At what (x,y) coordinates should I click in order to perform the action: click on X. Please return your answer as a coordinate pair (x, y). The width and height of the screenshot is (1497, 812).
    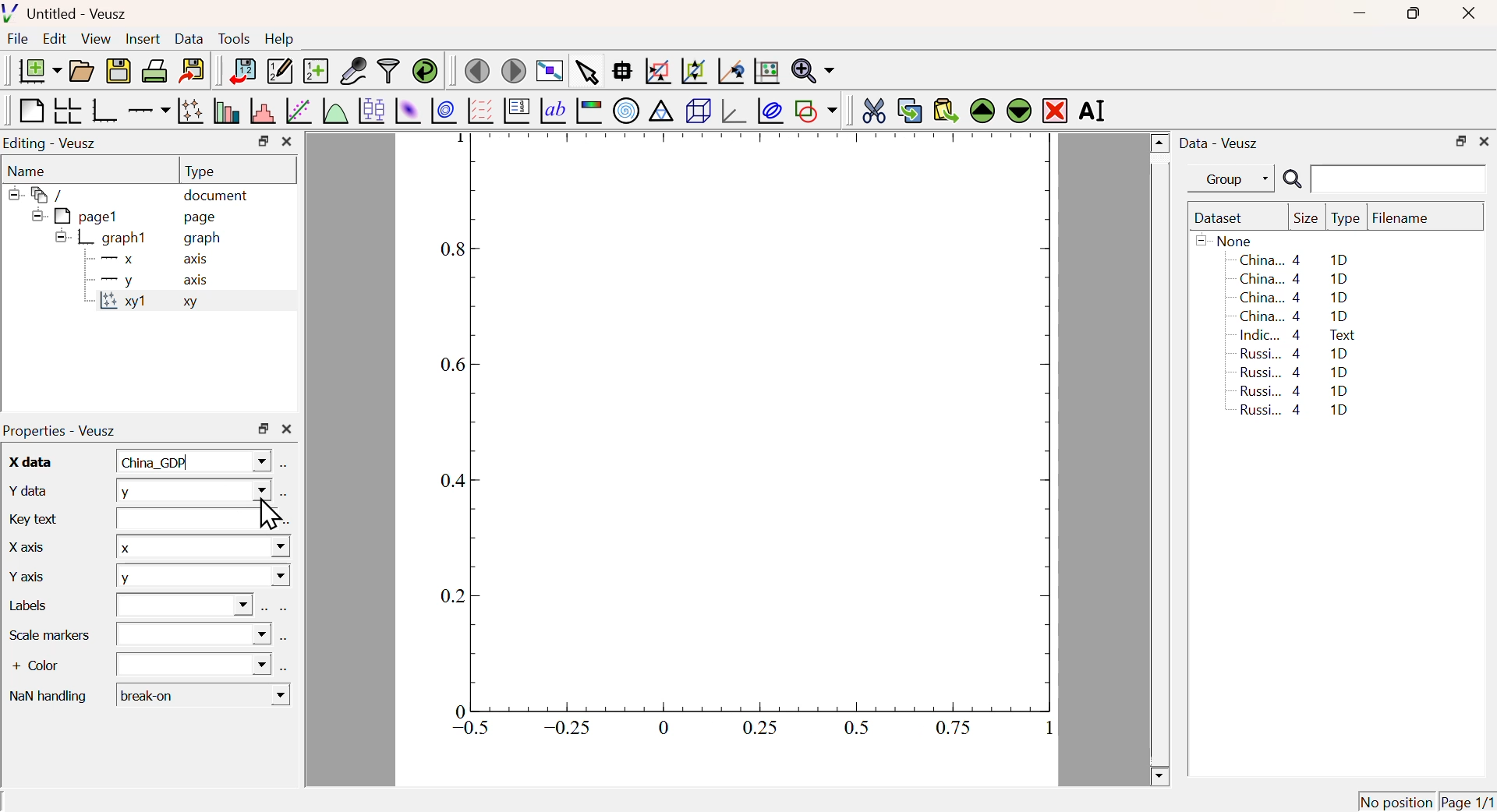
    Looking at the image, I should click on (202, 545).